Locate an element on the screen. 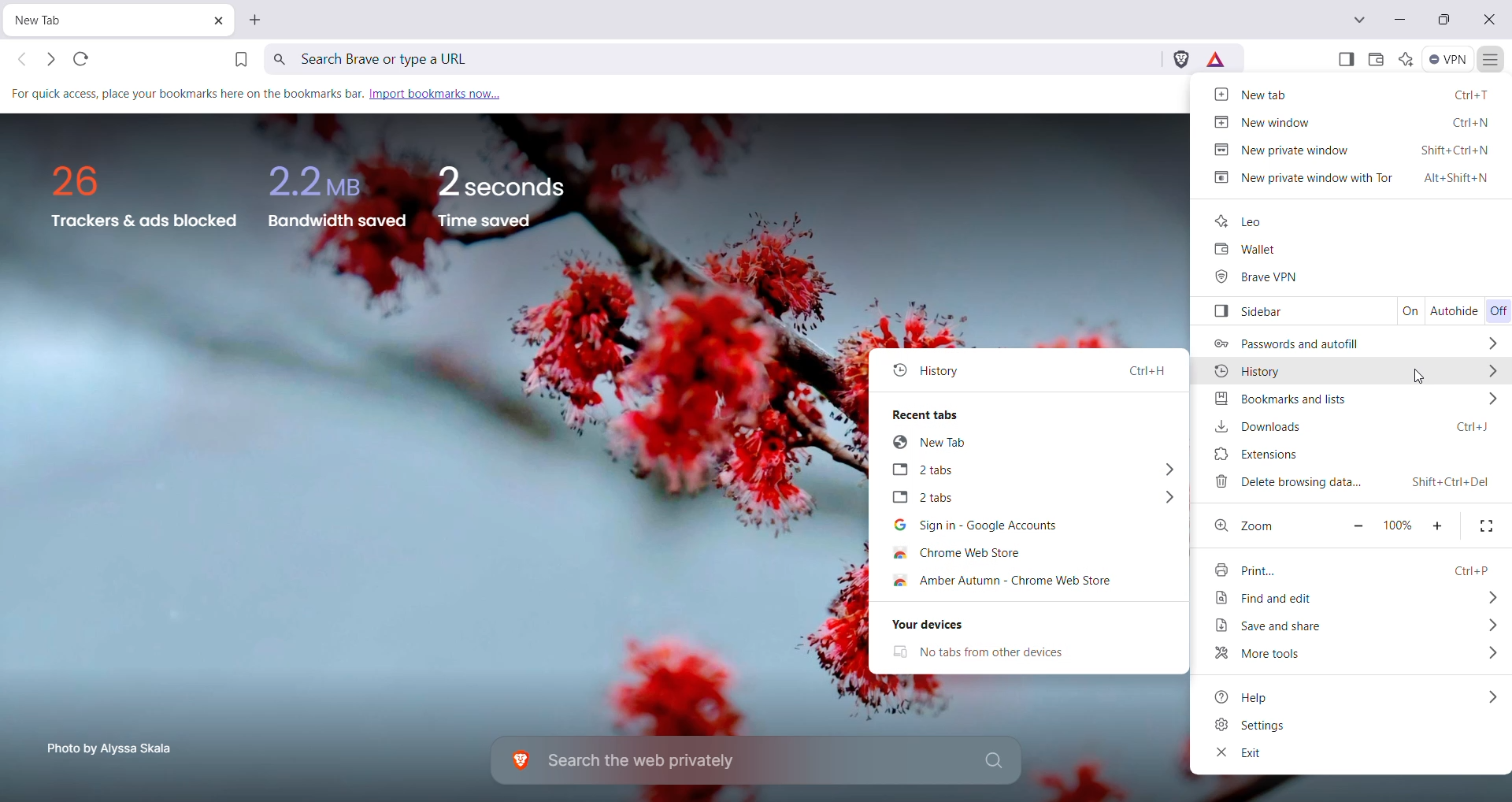 Image resolution: width=1512 pixels, height=802 pixels. History is located at coordinates (1353, 372).